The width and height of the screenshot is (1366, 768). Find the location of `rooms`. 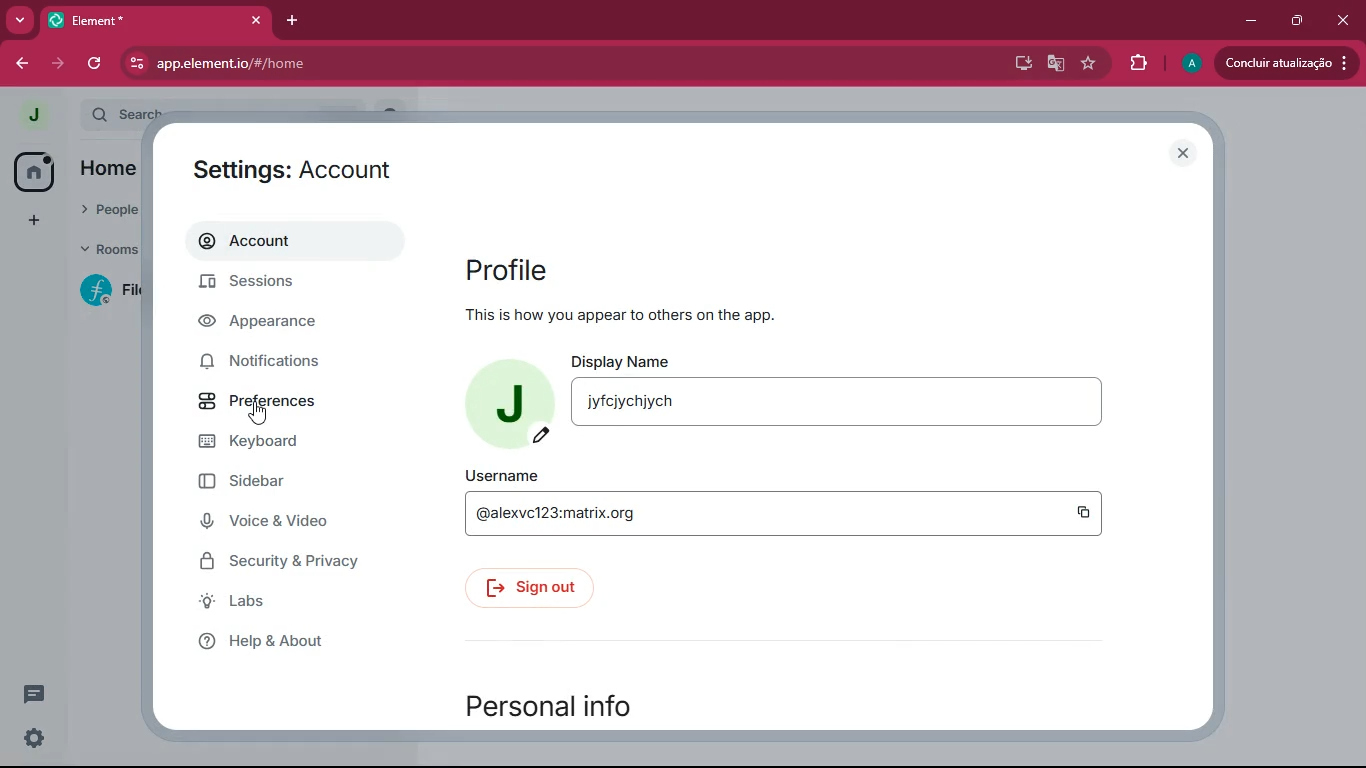

rooms is located at coordinates (111, 250).